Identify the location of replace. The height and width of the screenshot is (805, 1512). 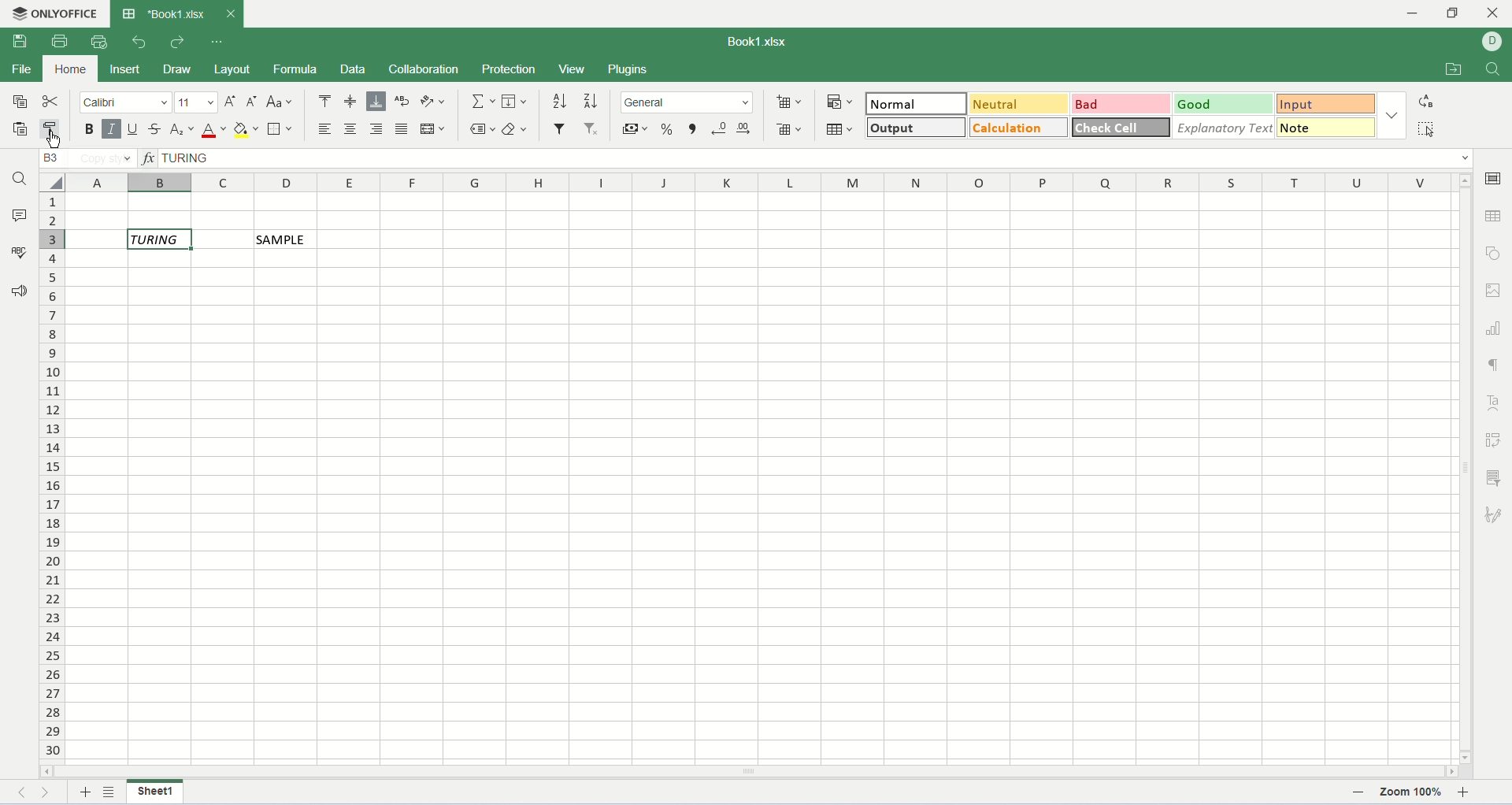
(1429, 101).